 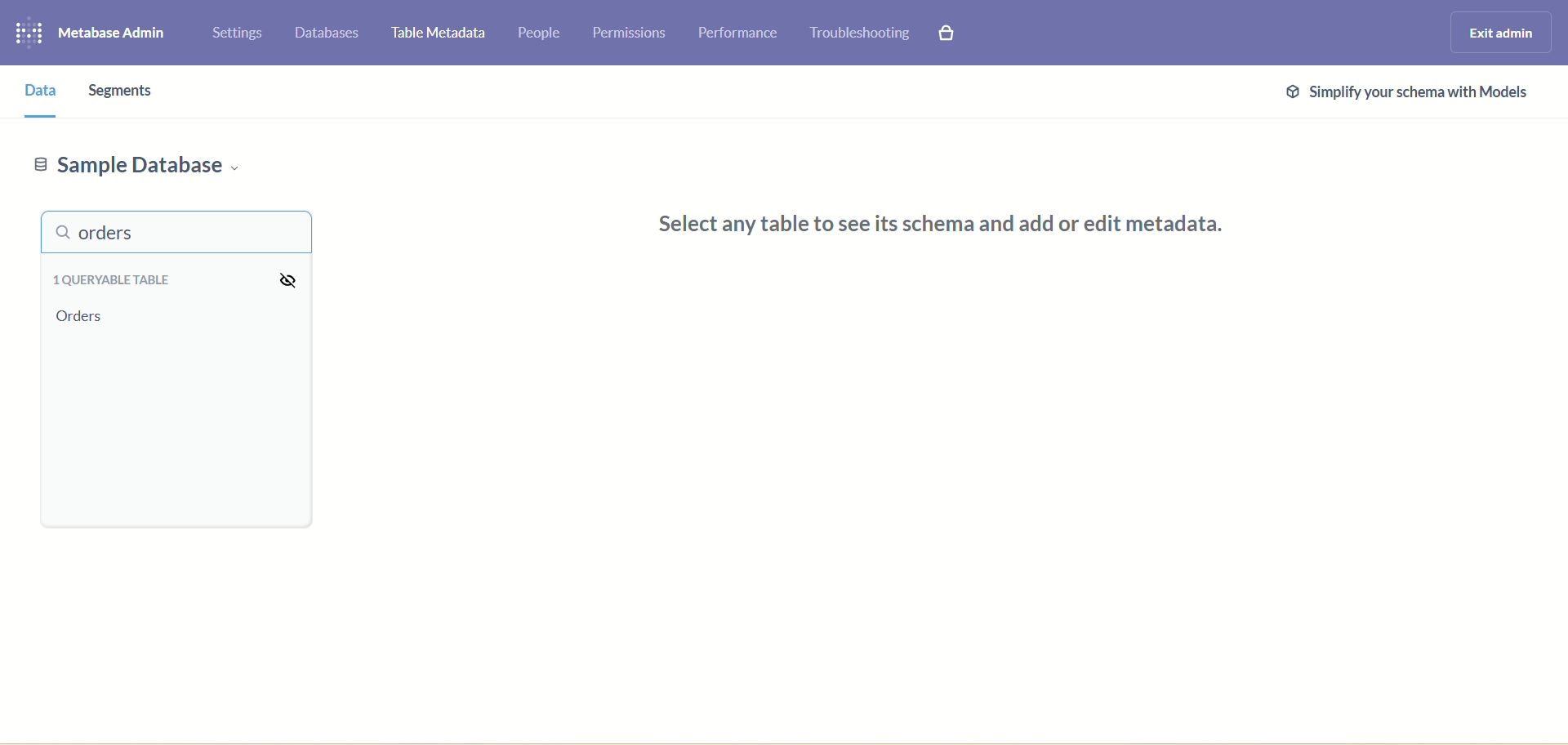 I want to click on segments, so click(x=130, y=94).